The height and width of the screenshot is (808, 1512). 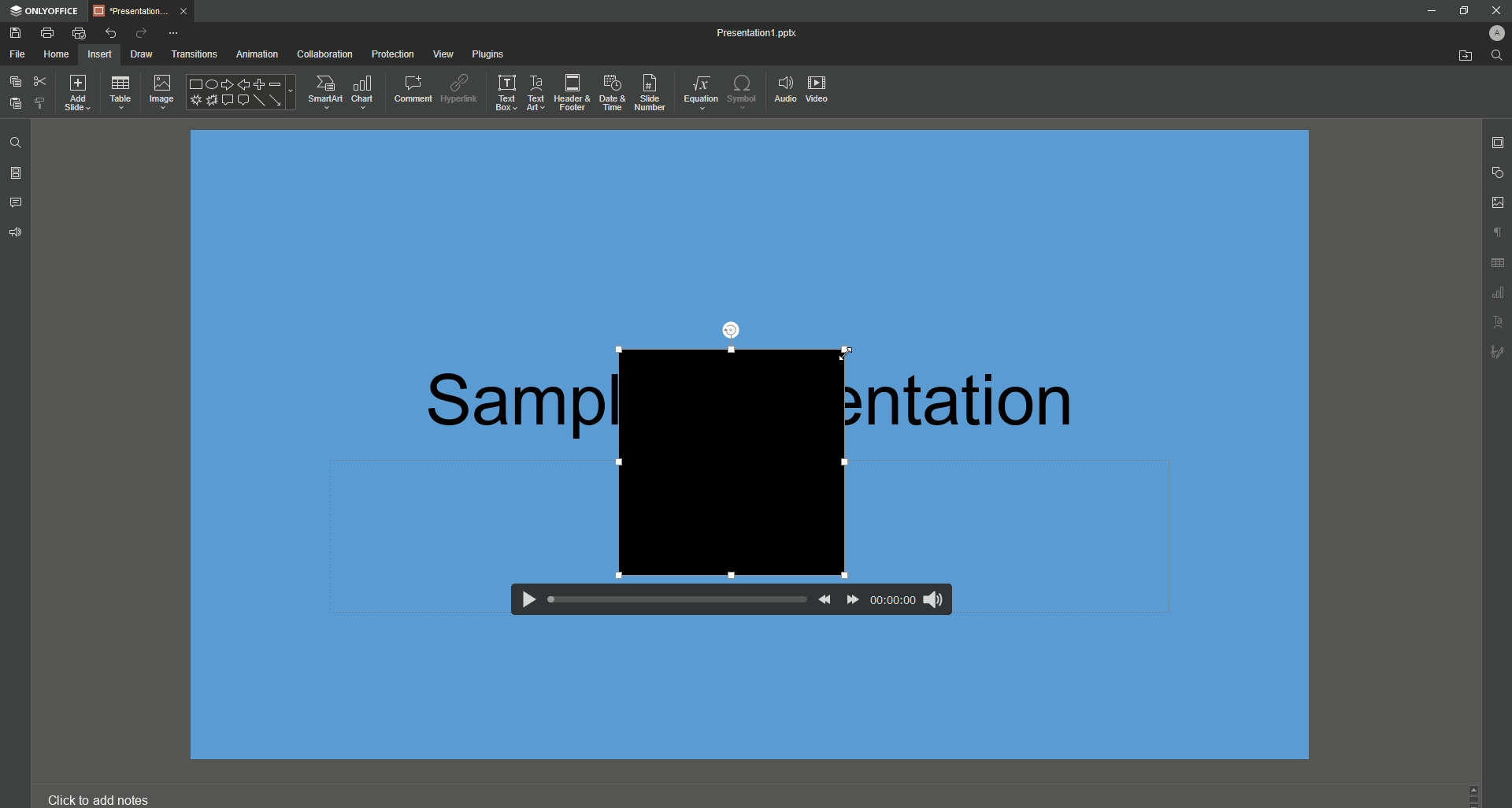 What do you see at coordinates (458, 88) in the screenshot?
I see `Hyperlink` at bounding box center [458, 88].